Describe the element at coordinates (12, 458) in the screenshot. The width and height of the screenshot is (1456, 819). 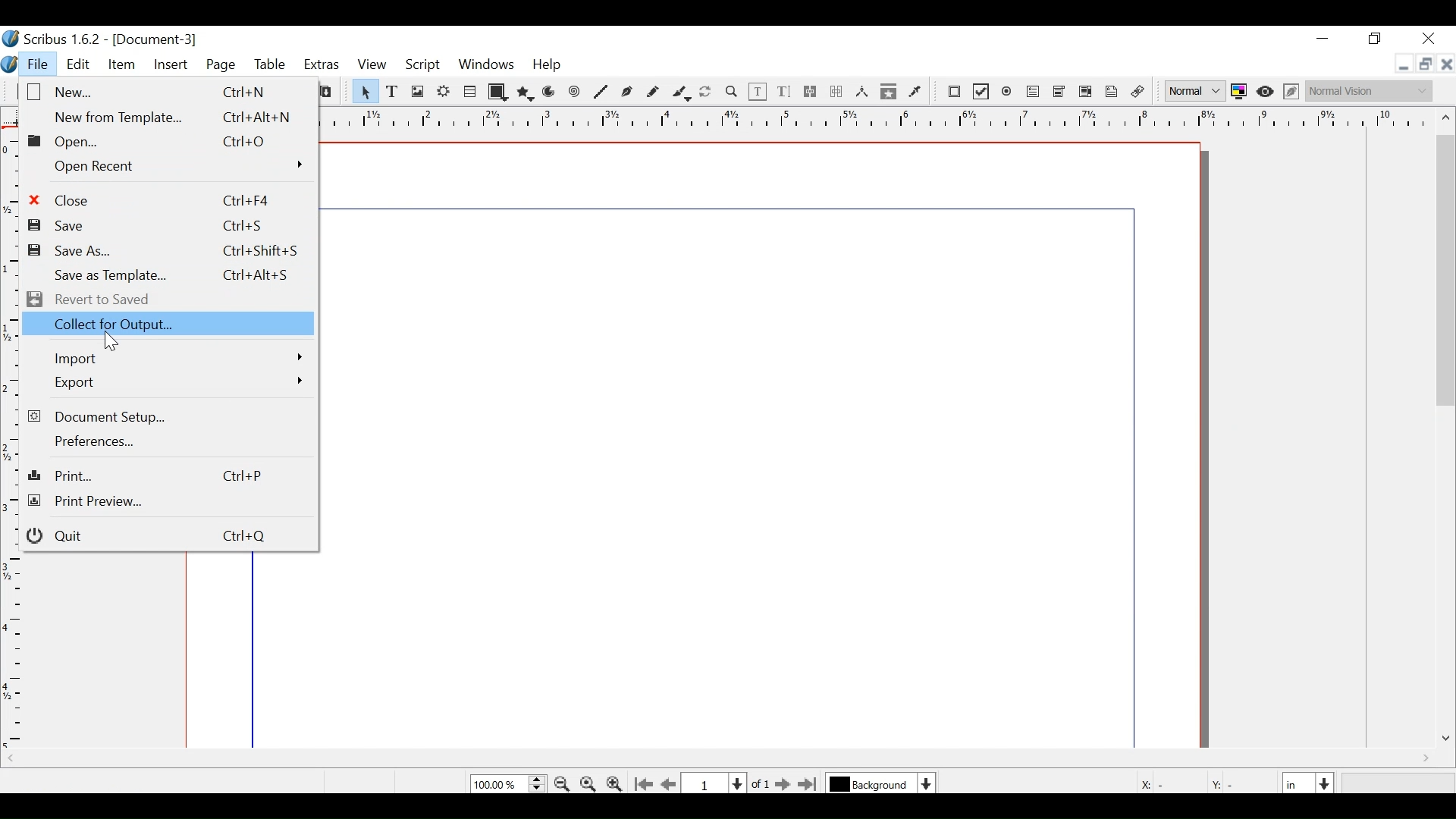
I see `` at that location.